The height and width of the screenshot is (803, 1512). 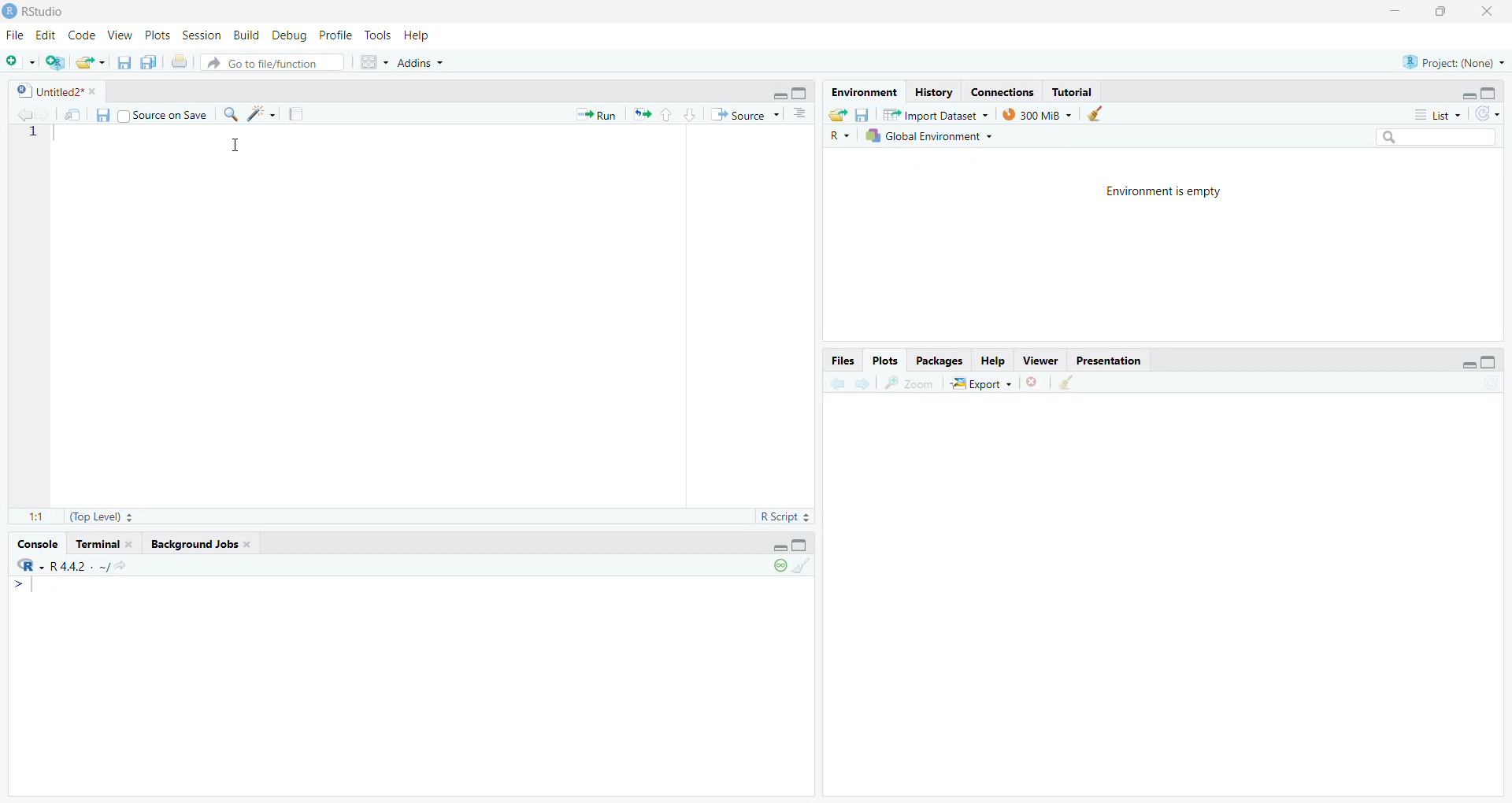 I want to click on save all open documents, so click(x=149, y=62).